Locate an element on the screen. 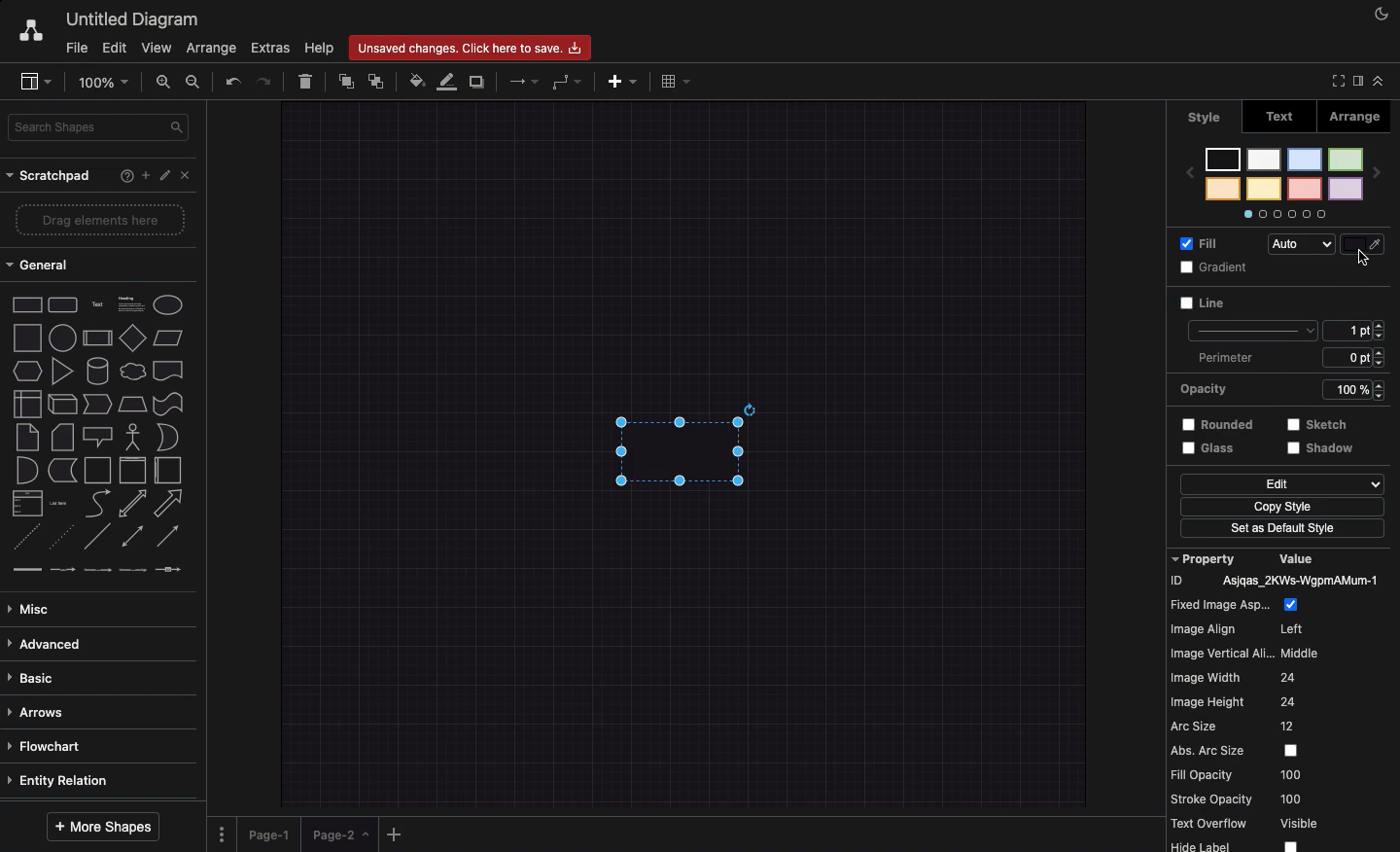 Image resolution: width=1400 pixels, height=852 pixels. square is located at coordinates (25, 336).